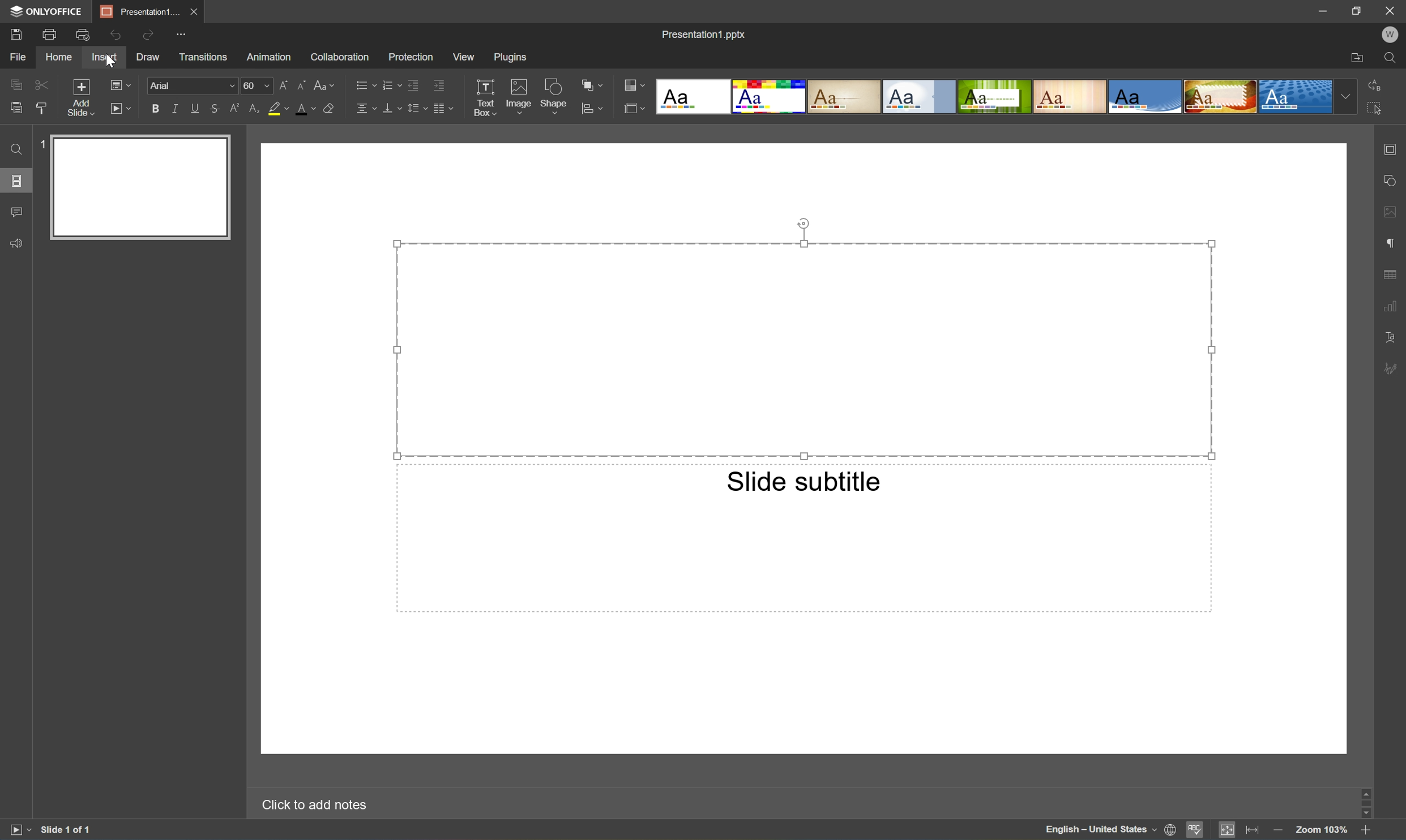 The height and width of the screenshot is (840, 1406). I want to click on Text Box, so click(481, 95).